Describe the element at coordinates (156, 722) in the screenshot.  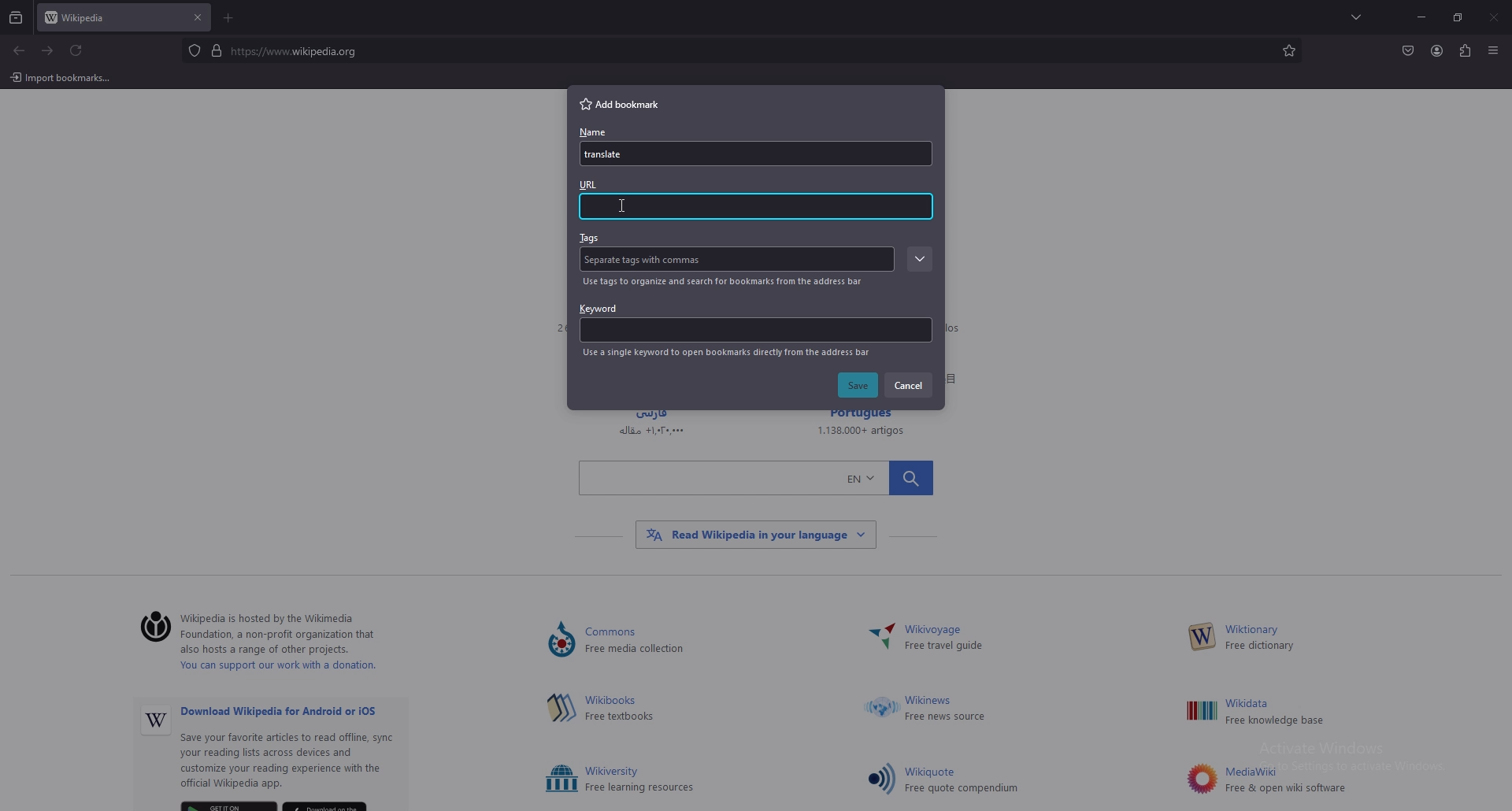
I see `` at that location.